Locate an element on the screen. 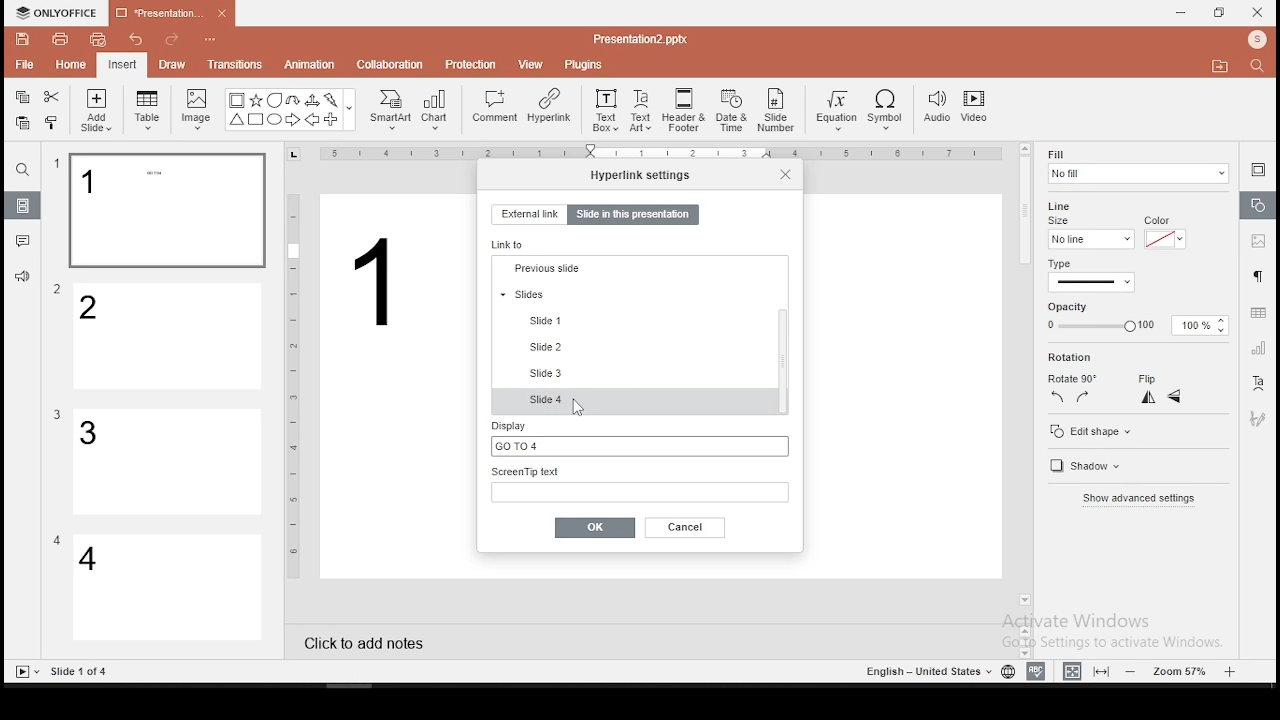 This screenshot has width=1280, height=720.  is located at coordinates (640, 38).